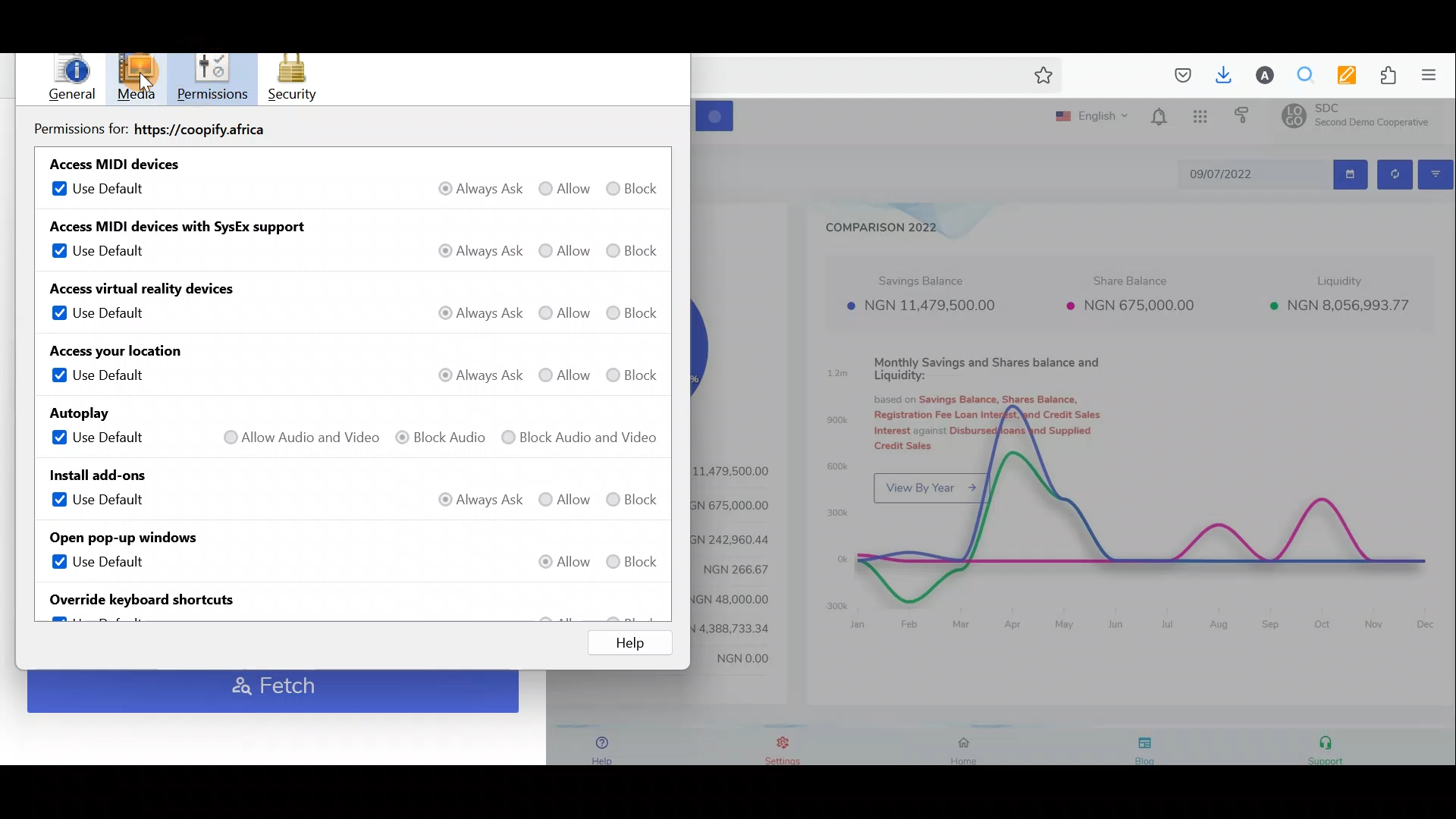 This screenshot has height=819, width=1456. What do you see at coordinates (165, 125) in the screenshot?
I see `Permissions for https://coopify.africa` at bounding box center [165, 125].